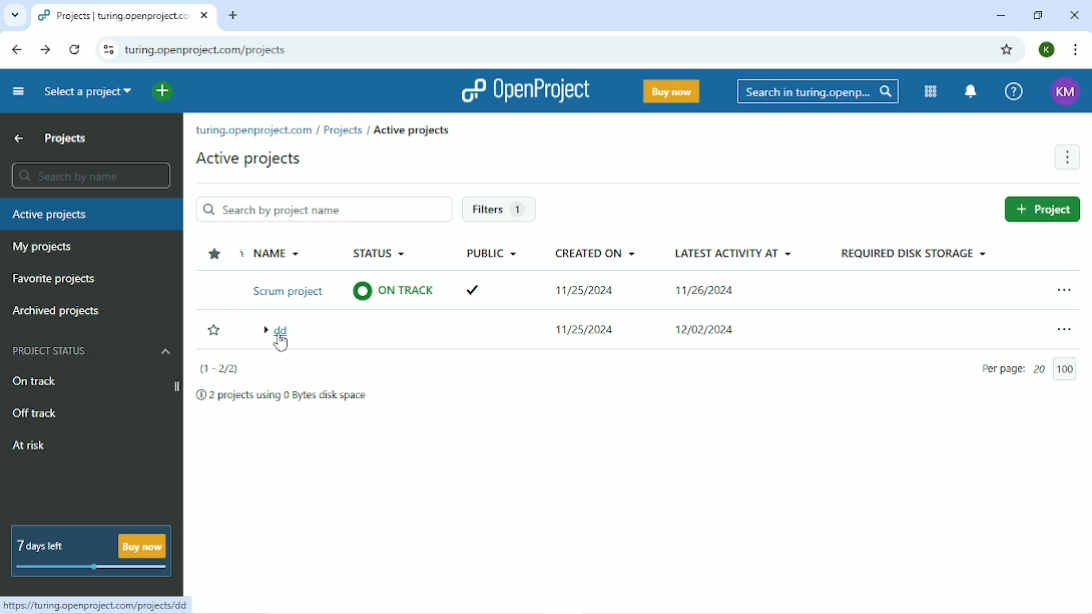 This screenshot has width=1092, height=614. What do you see at coordinates (61, 279) in the screenshot?
I see `Favorite projects` at bounding box center [61, 279].